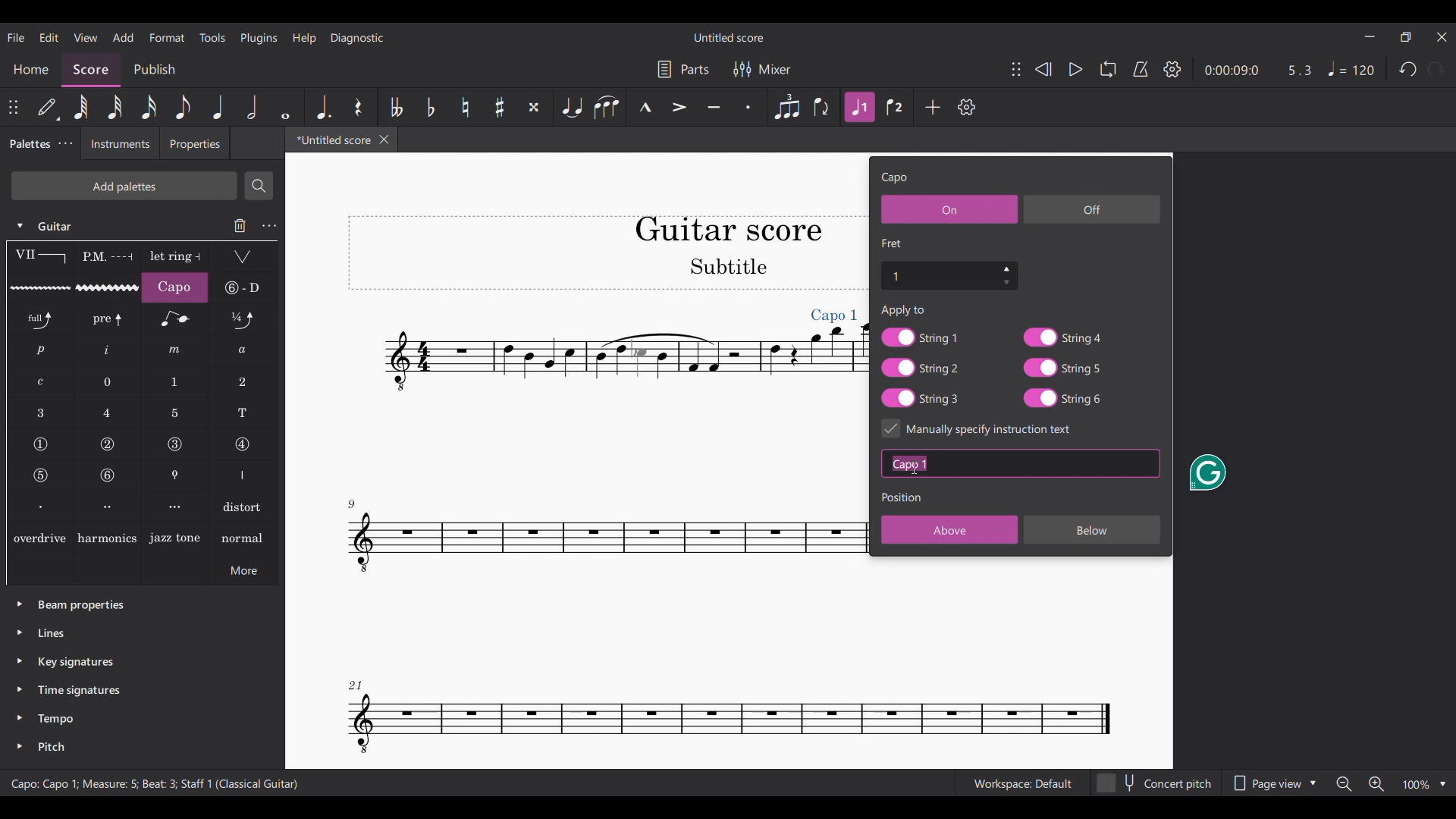 Image resolution: width=1456 pixels, height=819 pixels. What do you see at coordinates (990, 428) in the screenshot?
I see `Toggle for specific instruction` at bounding box center [990, 428].